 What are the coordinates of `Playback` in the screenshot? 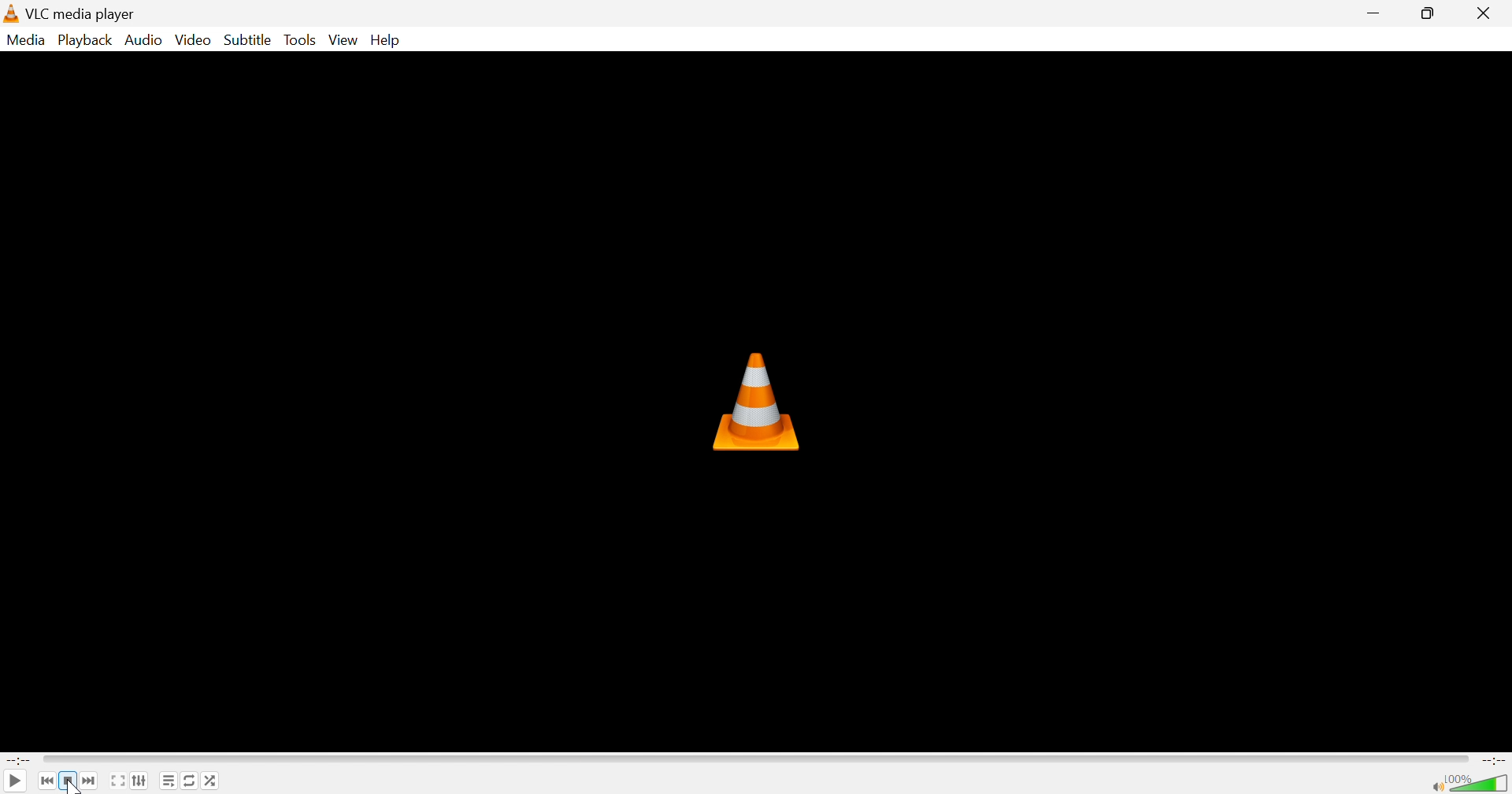 It's located at (86, 41).